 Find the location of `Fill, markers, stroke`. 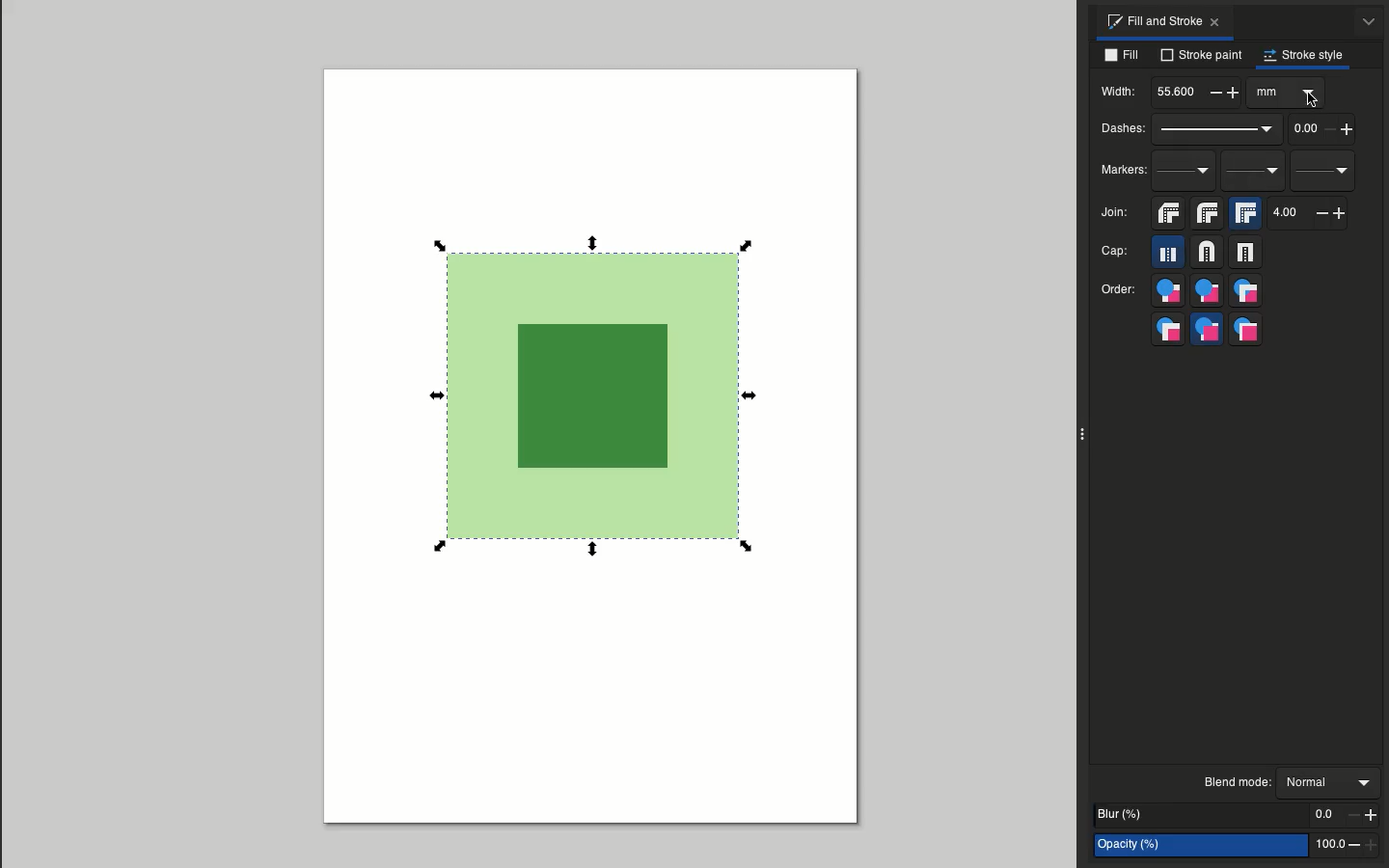

Fill, markers, stroke is located at coordinates (1246, 292).